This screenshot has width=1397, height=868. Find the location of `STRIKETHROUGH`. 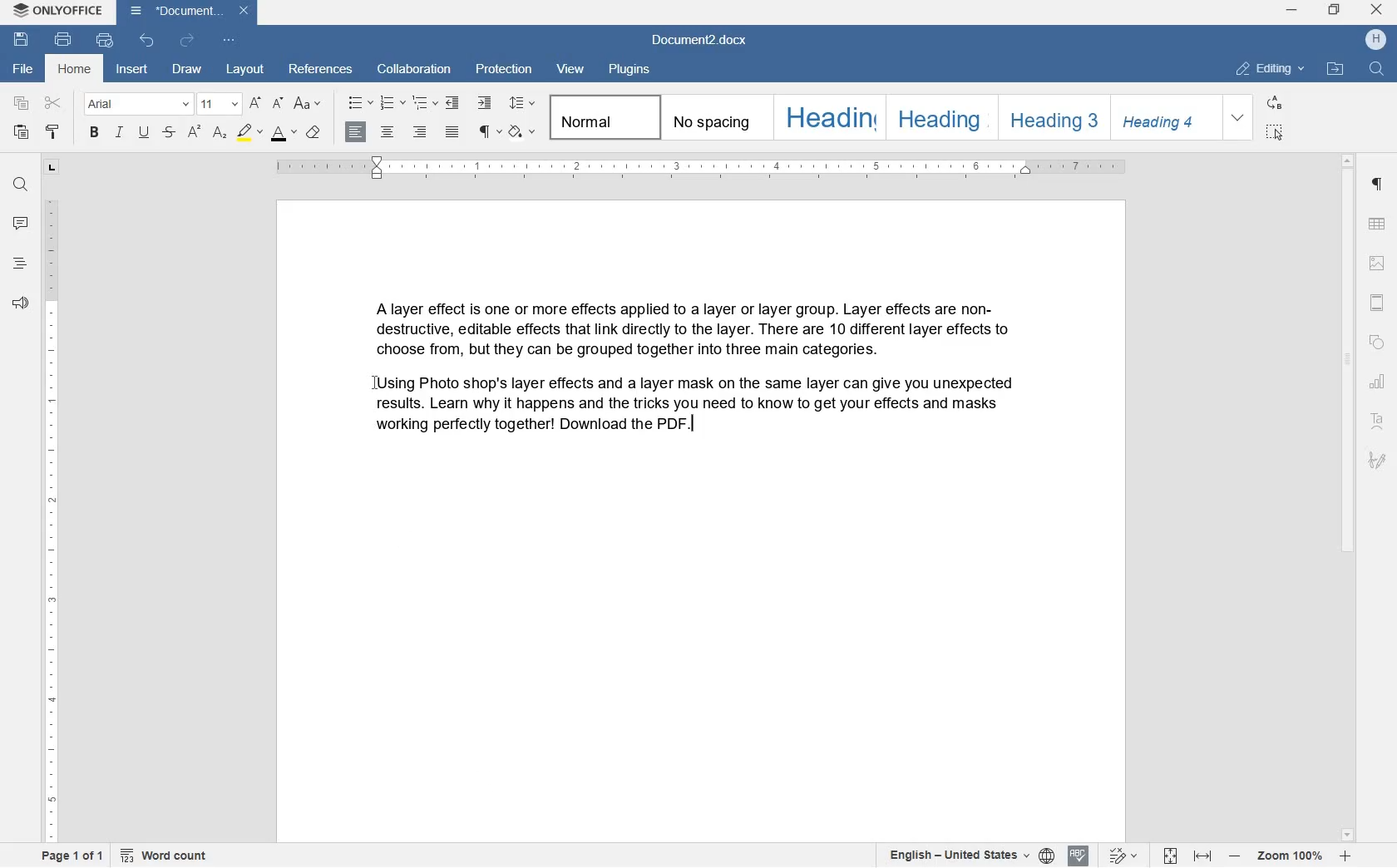

STRIKETHROUGH is located at coordinates (168, 134).